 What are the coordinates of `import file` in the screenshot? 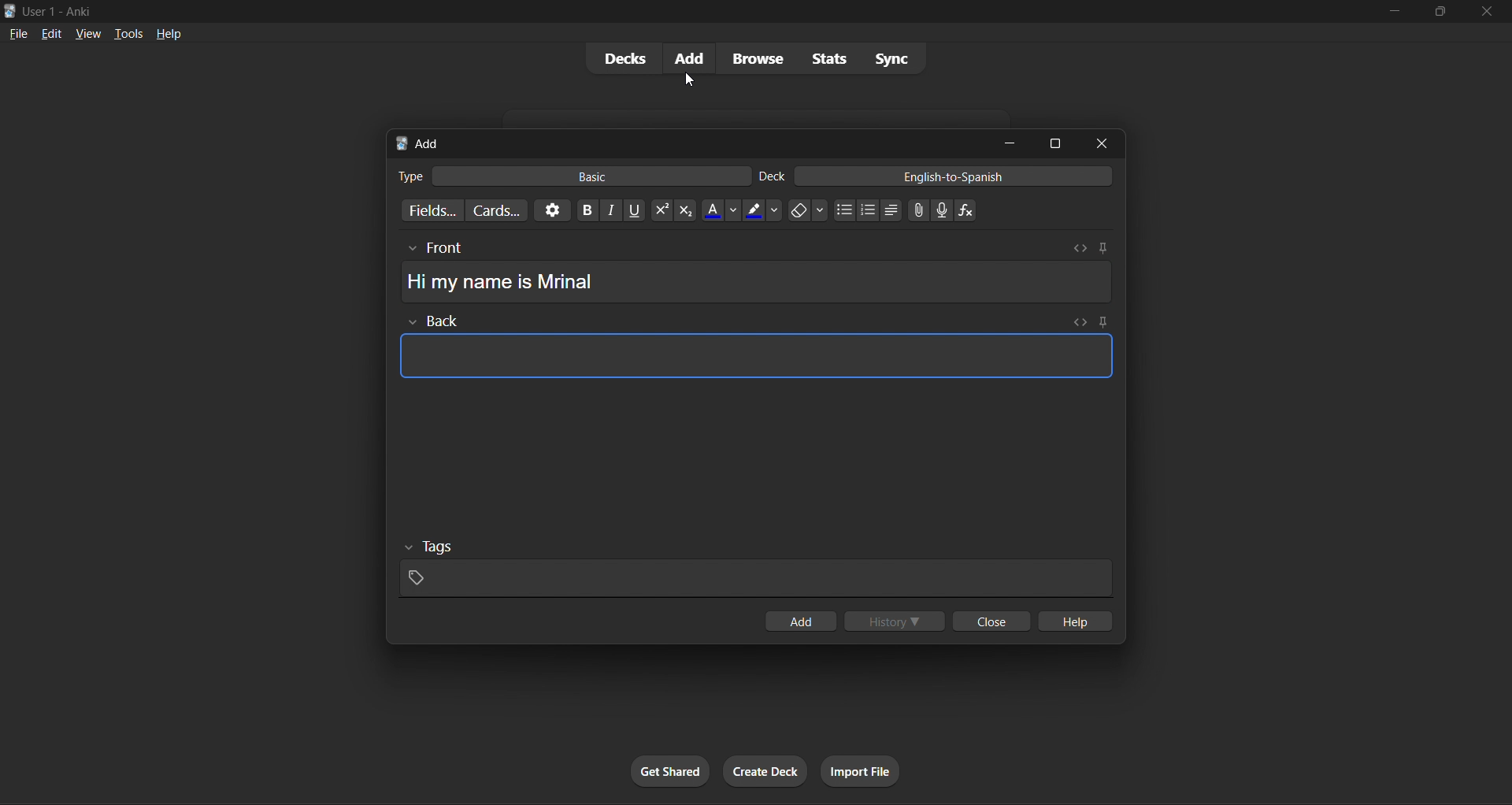 It's located at (863, 770).